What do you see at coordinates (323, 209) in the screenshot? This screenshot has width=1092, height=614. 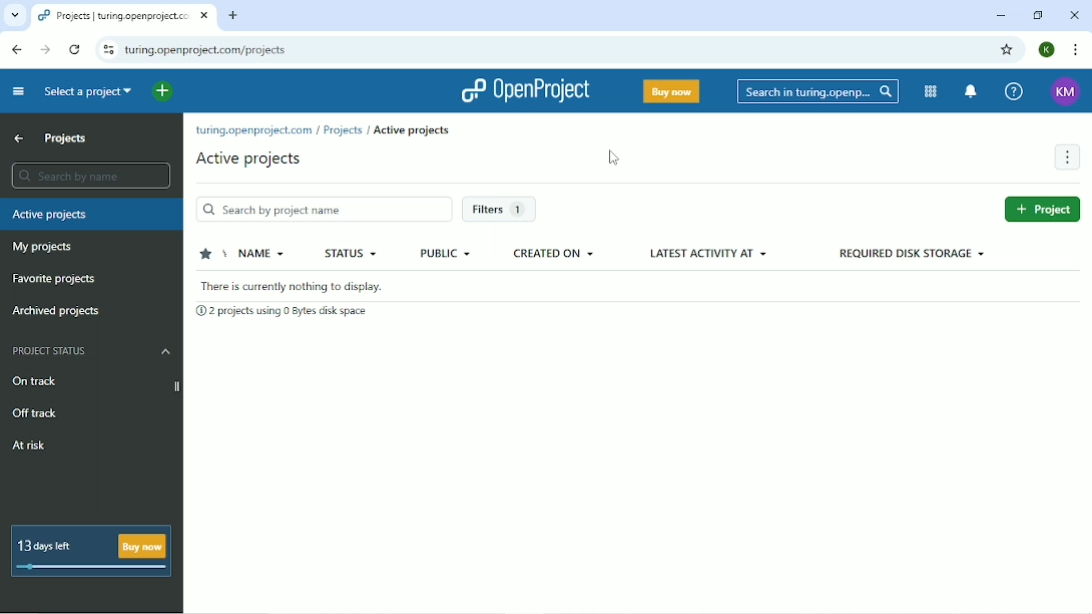 I see `Search by project name` at bounding box center [323, 209].